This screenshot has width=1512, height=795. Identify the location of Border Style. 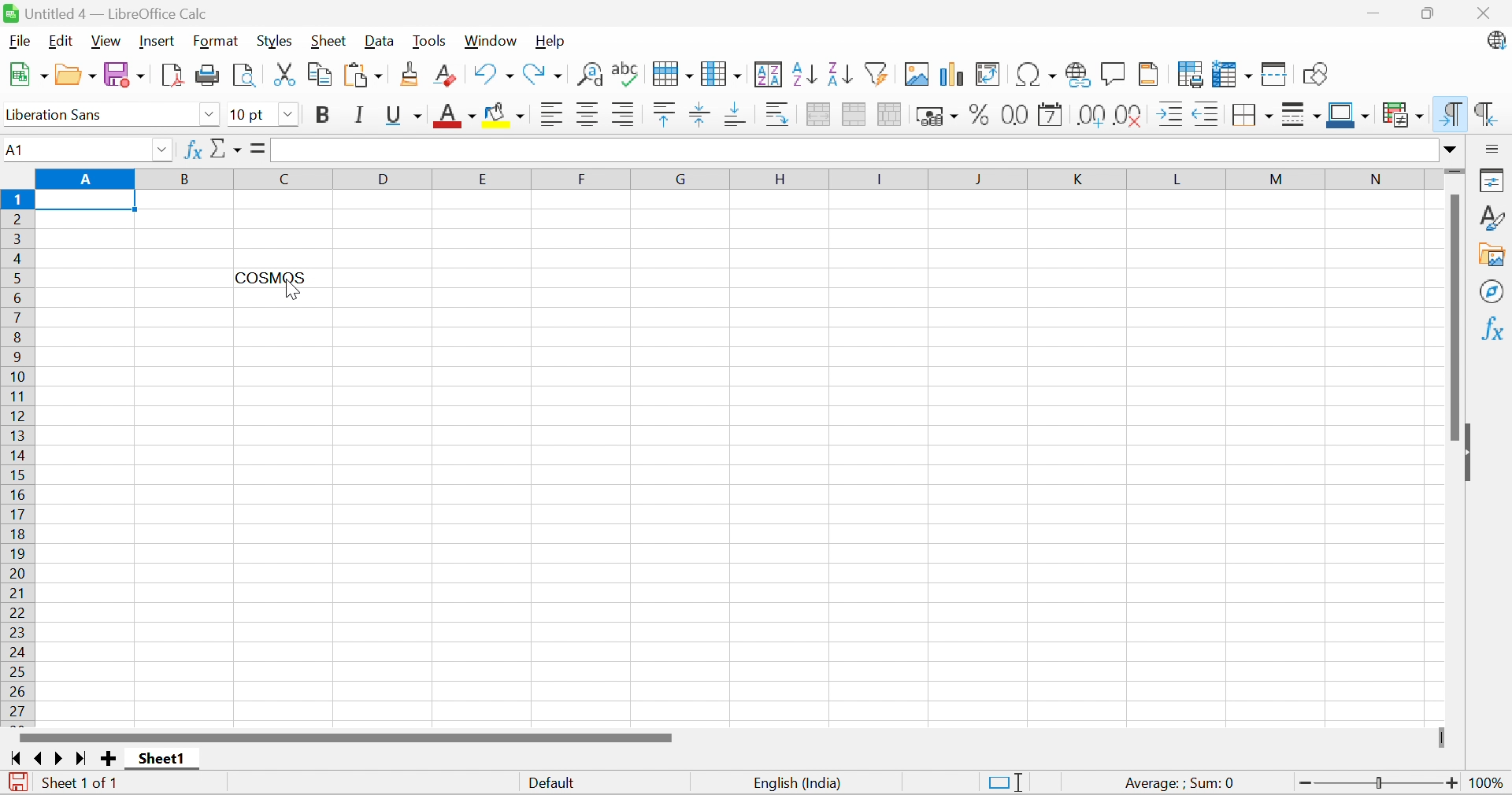
(1302, 115).